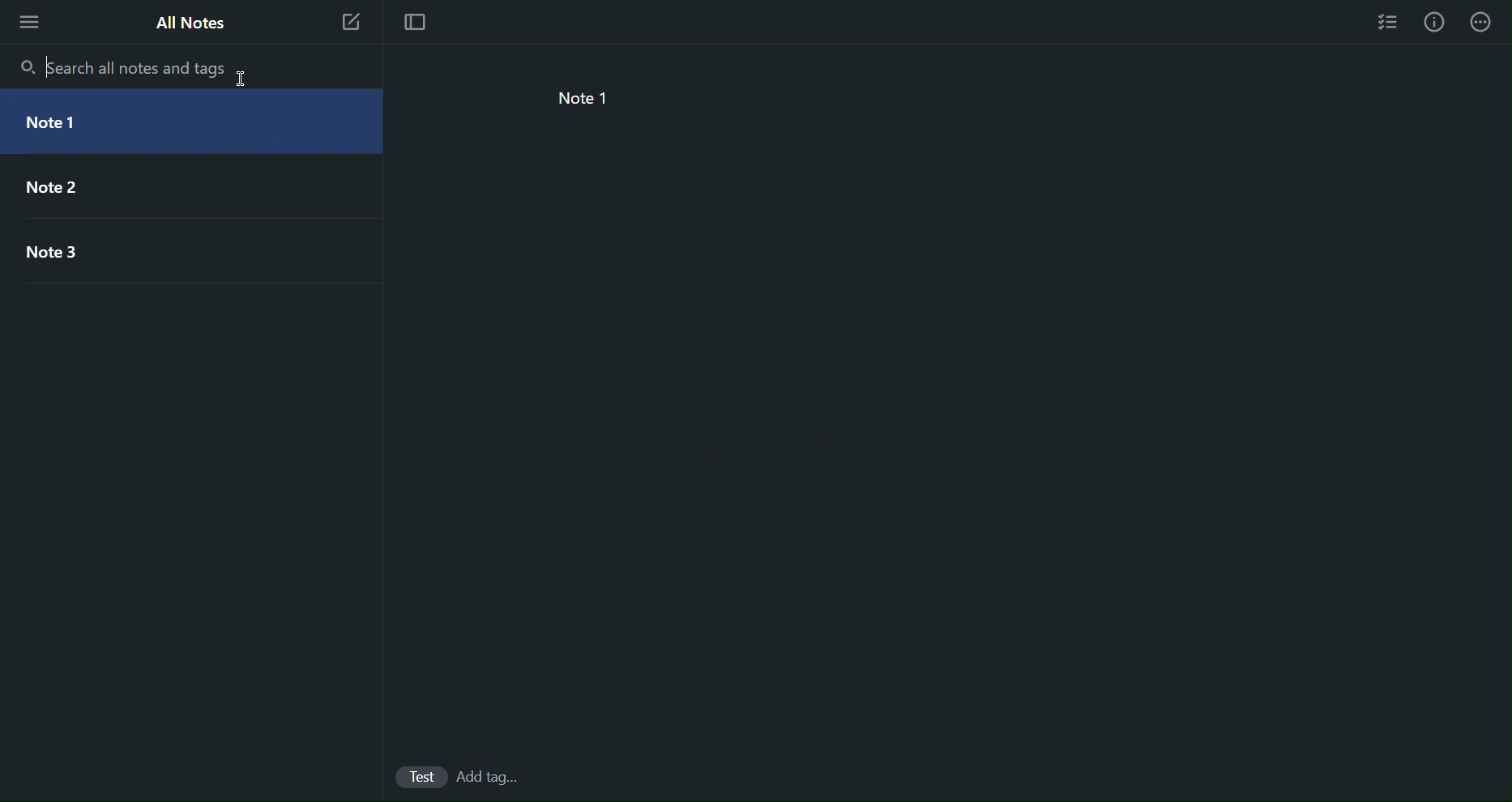 The image size is (1512, 802). Describe the element at coordinates (1434, 21) in the screenshot. I see `Info` at that location.